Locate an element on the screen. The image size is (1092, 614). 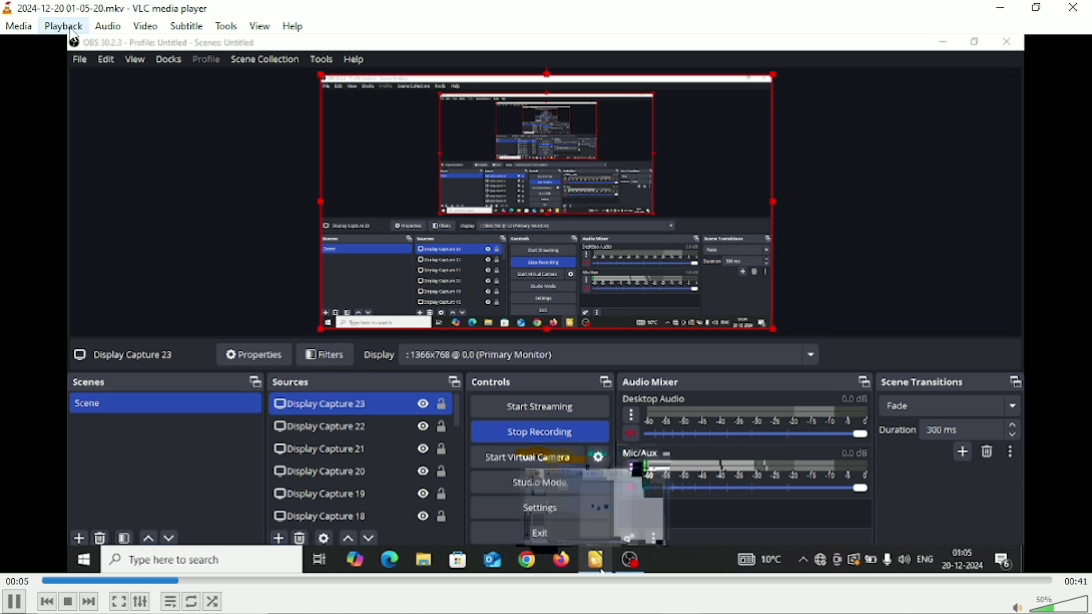
Playback is located at coordinates (62, 26).